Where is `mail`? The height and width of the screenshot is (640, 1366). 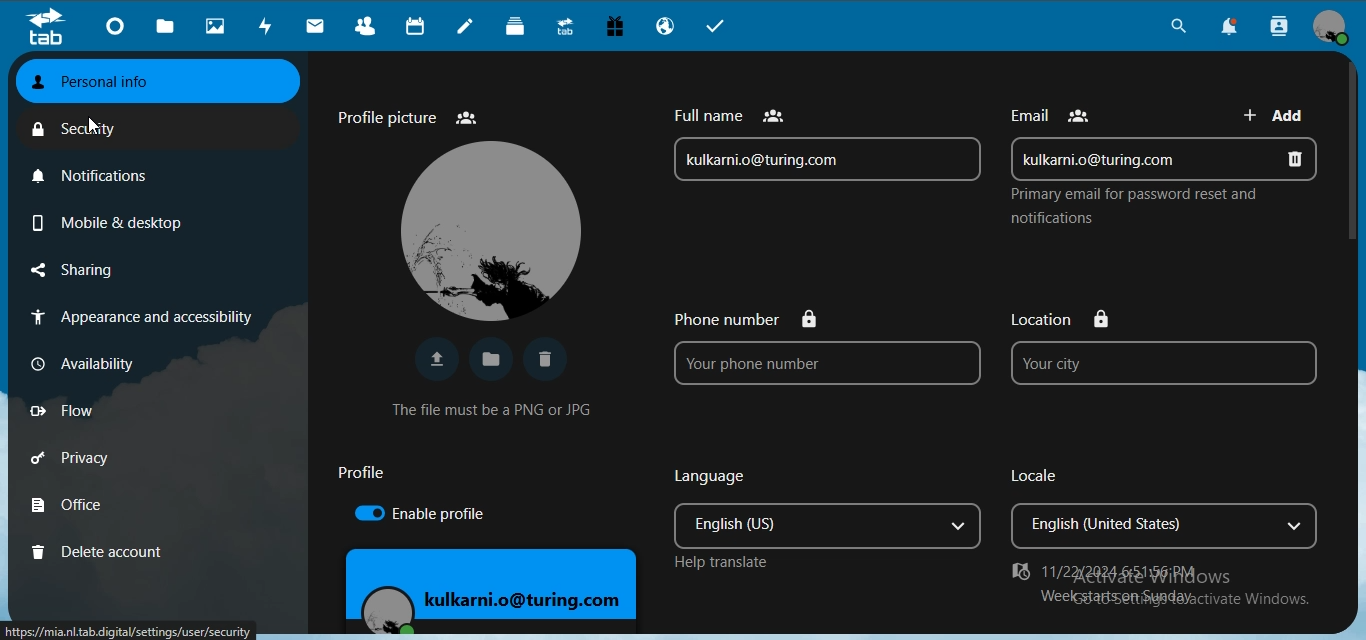 mail is located at coordinates (316, 27).